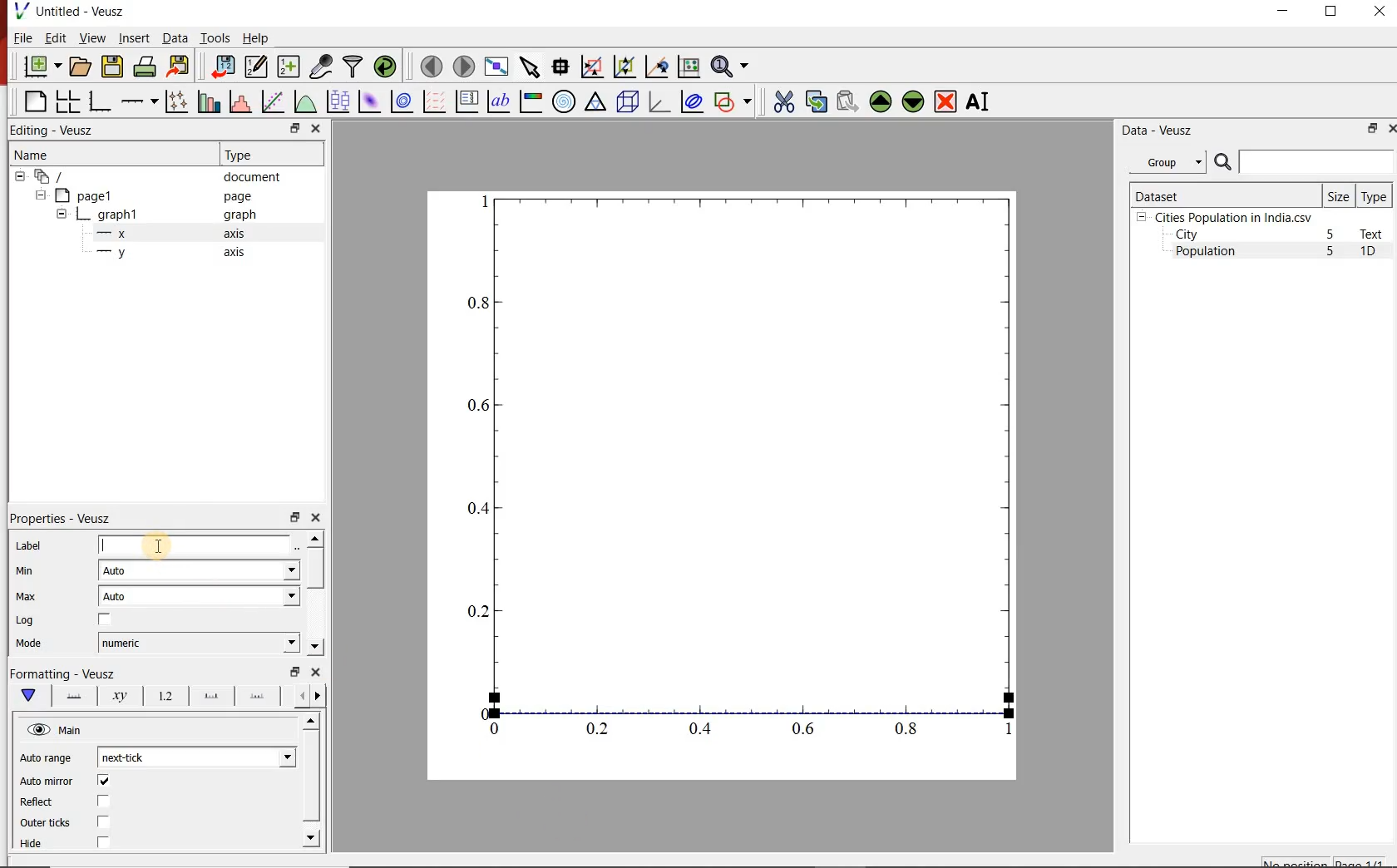  What do you see at coordinates (133, 39) in the screenshot?
I see `Insert` at bounding box center [133, 39].